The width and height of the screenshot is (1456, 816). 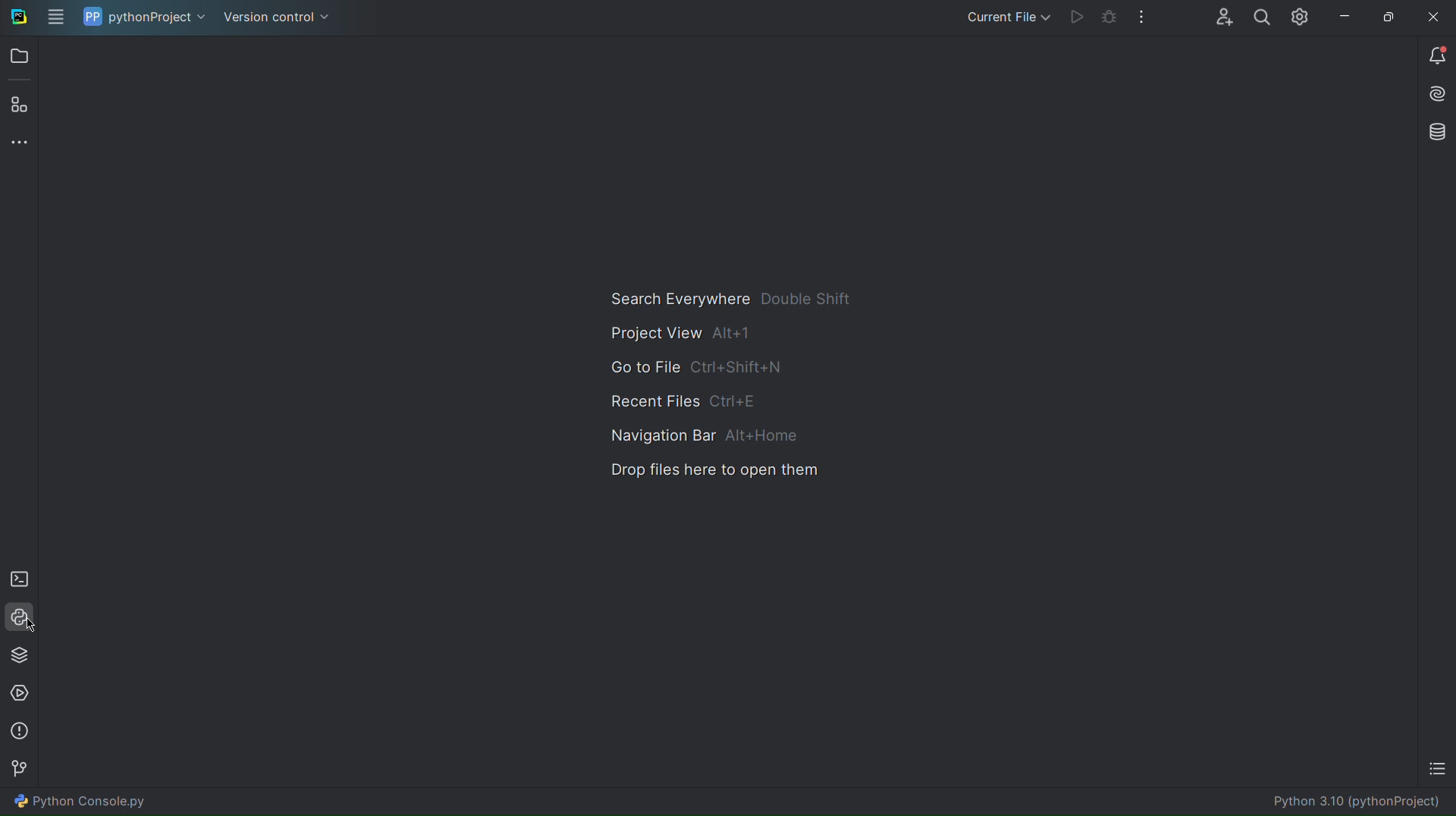 What do you see at coordinates (1103, 19) in the screenshot?
I see `Debug` at bounding box center [1103, 19].